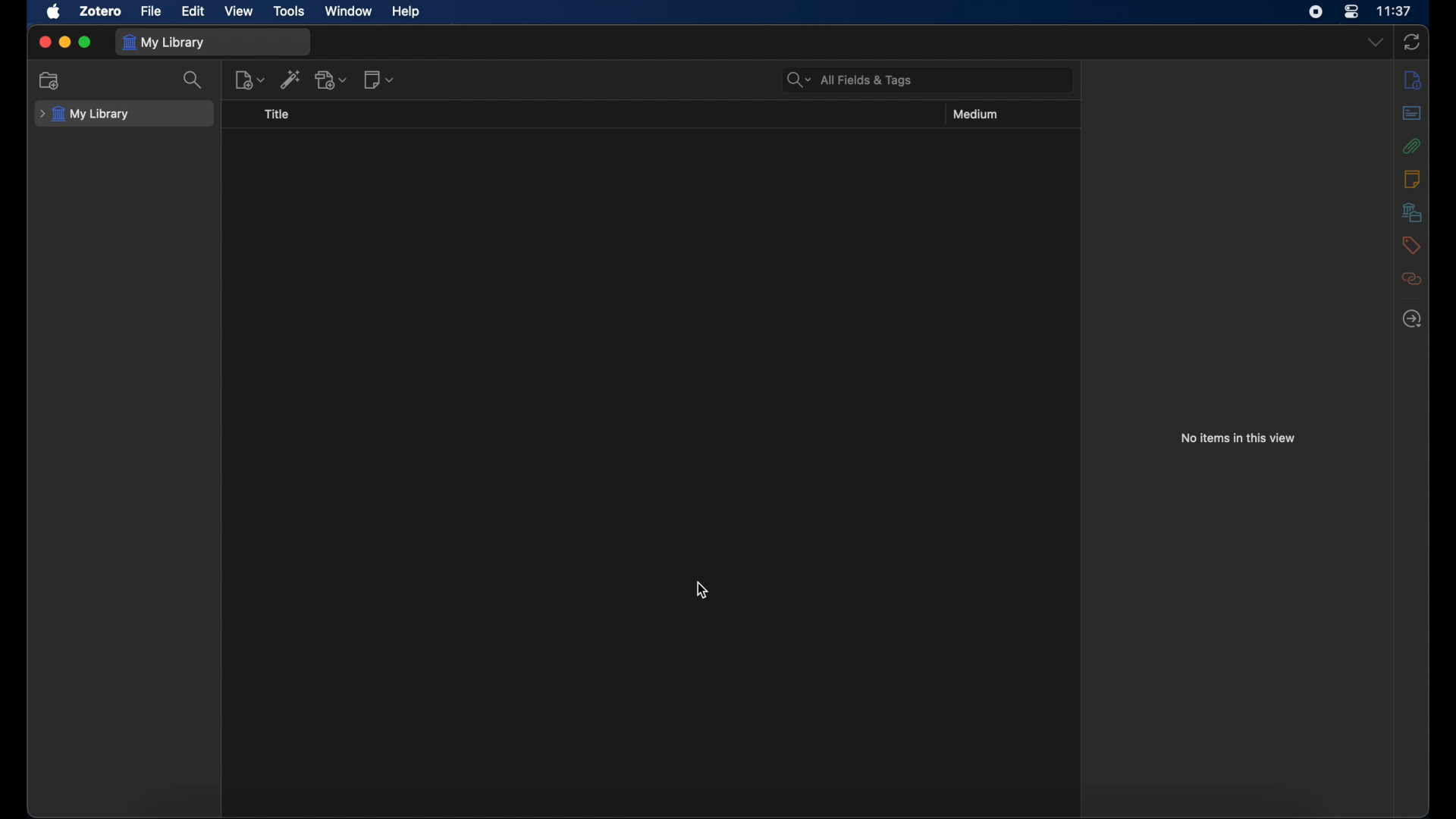  What do you see at coordinates (1318, 12) in the screenshot?
I see `screen recorder` at bounding box center [1318, 12].